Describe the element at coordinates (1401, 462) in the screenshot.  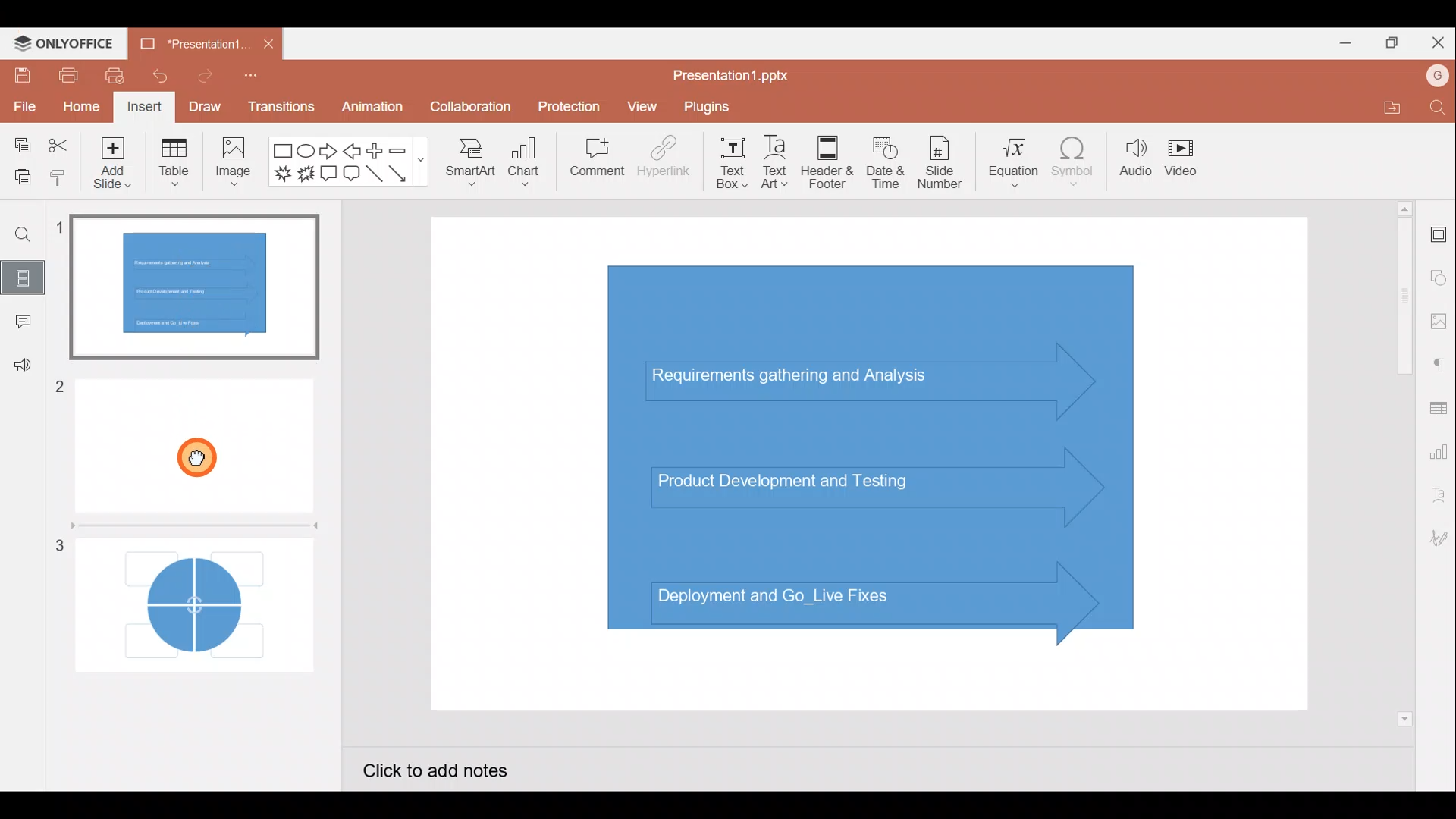
I see `Vertical scroll bar` at that location.